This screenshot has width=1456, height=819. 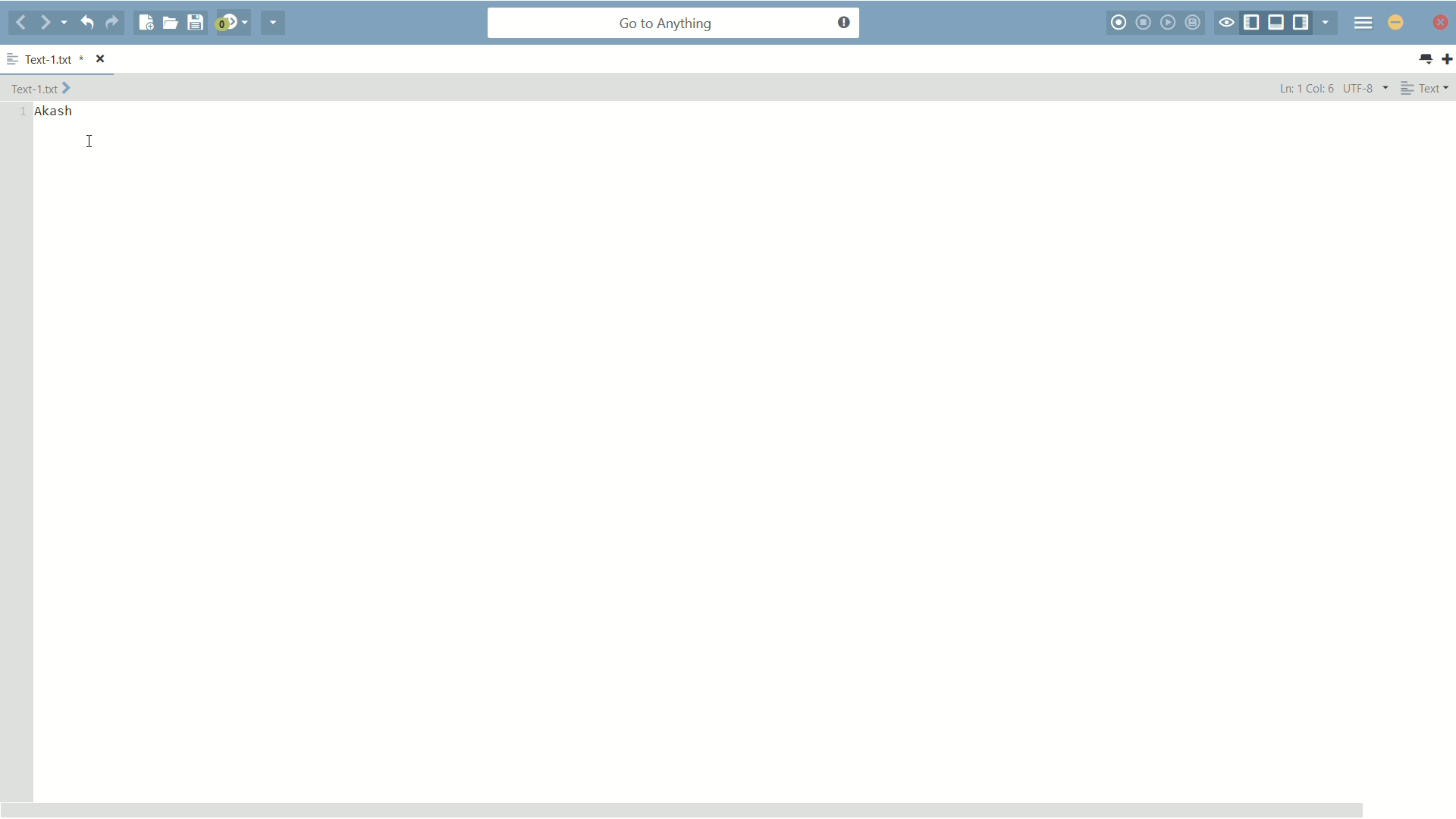 What do you see at coordinates (89, 142) in the screenshot?
I see `cursor` at bounding box center [89, 142].